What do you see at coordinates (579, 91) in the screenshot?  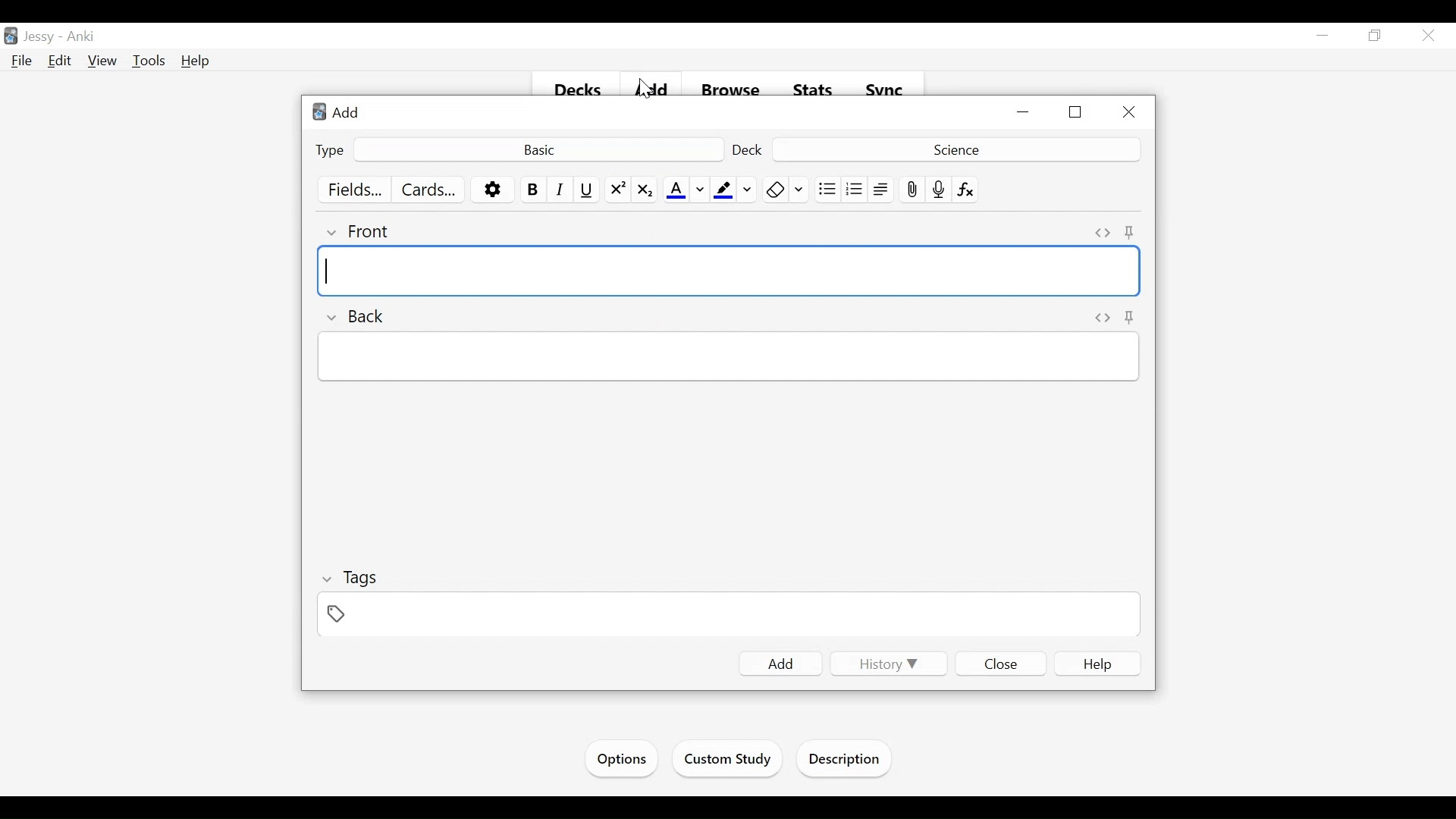 I see `Decks` at bounding box center [579, 91].